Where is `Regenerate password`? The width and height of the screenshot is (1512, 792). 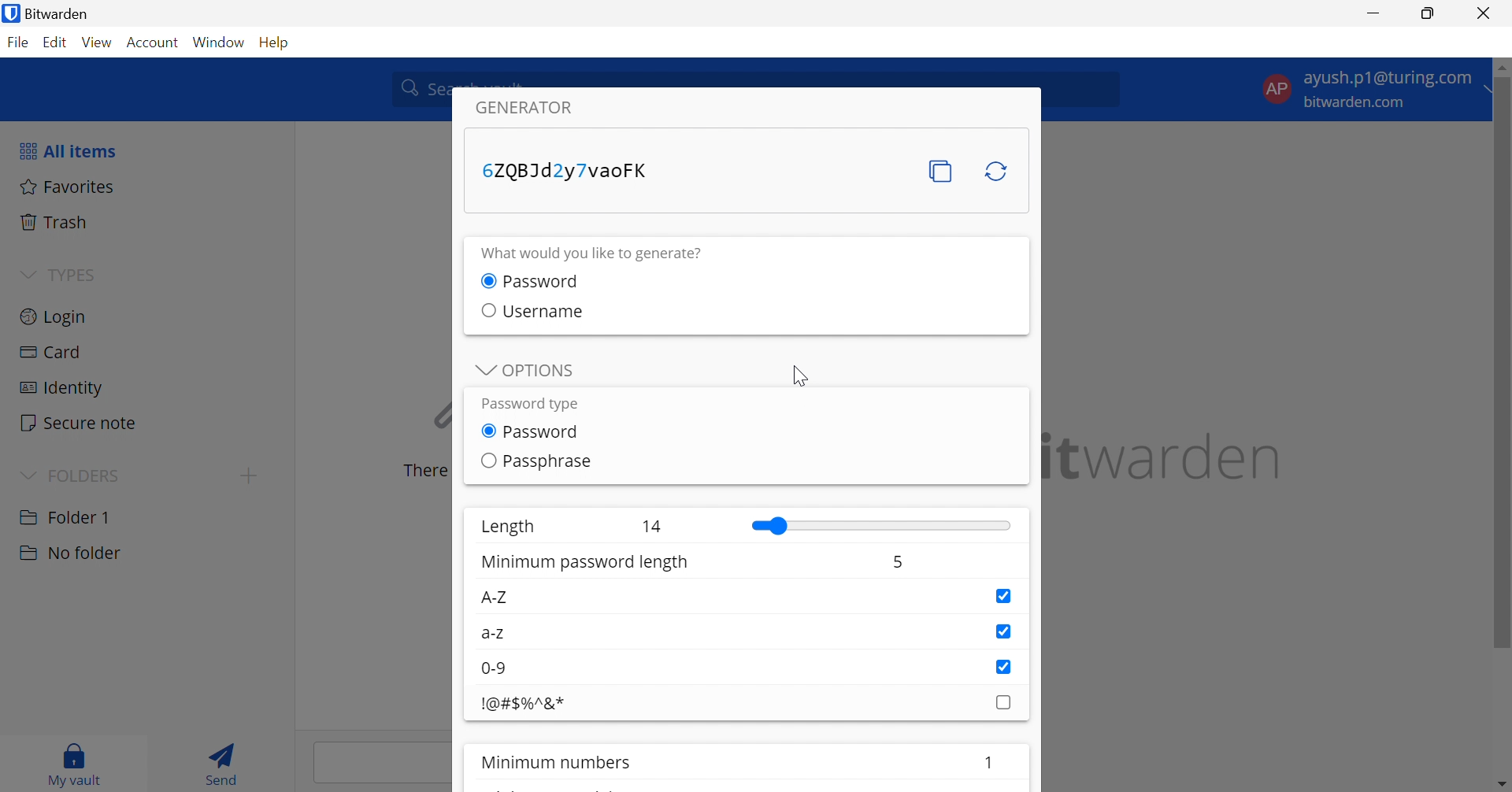
Regenerate password is located at coordinates (998, 172).